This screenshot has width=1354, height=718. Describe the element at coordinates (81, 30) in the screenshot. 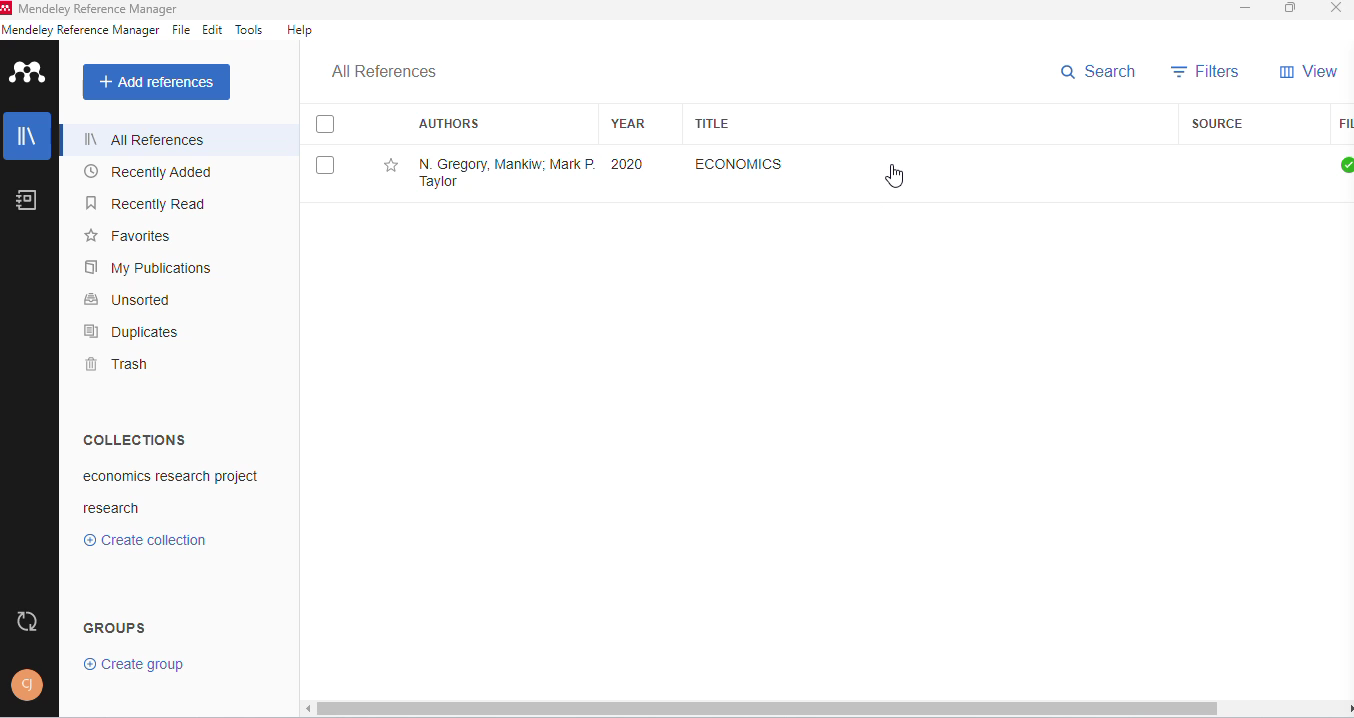

I see `mendeley reference manager` at that location.